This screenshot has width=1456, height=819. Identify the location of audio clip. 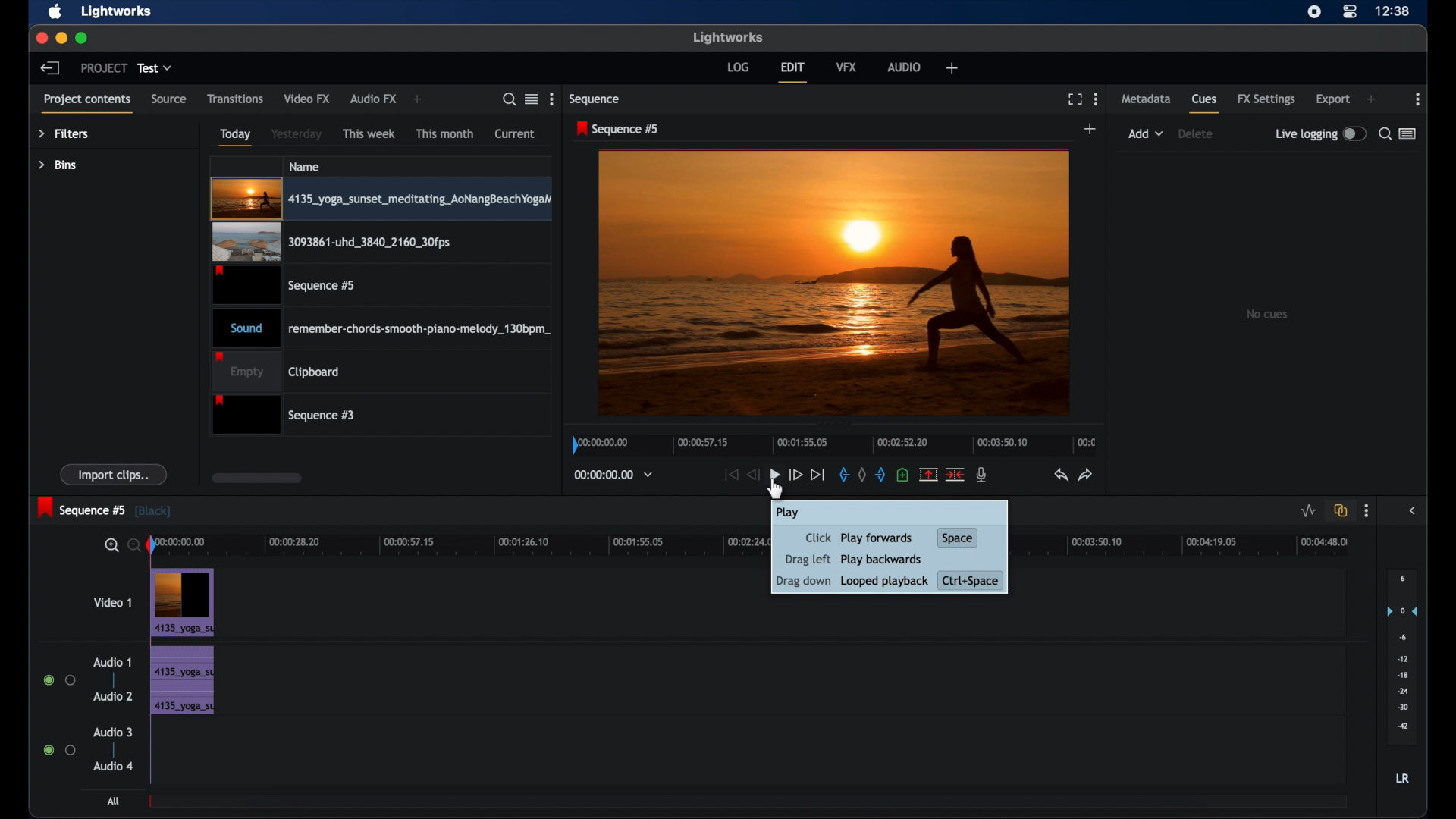
(181, 661).